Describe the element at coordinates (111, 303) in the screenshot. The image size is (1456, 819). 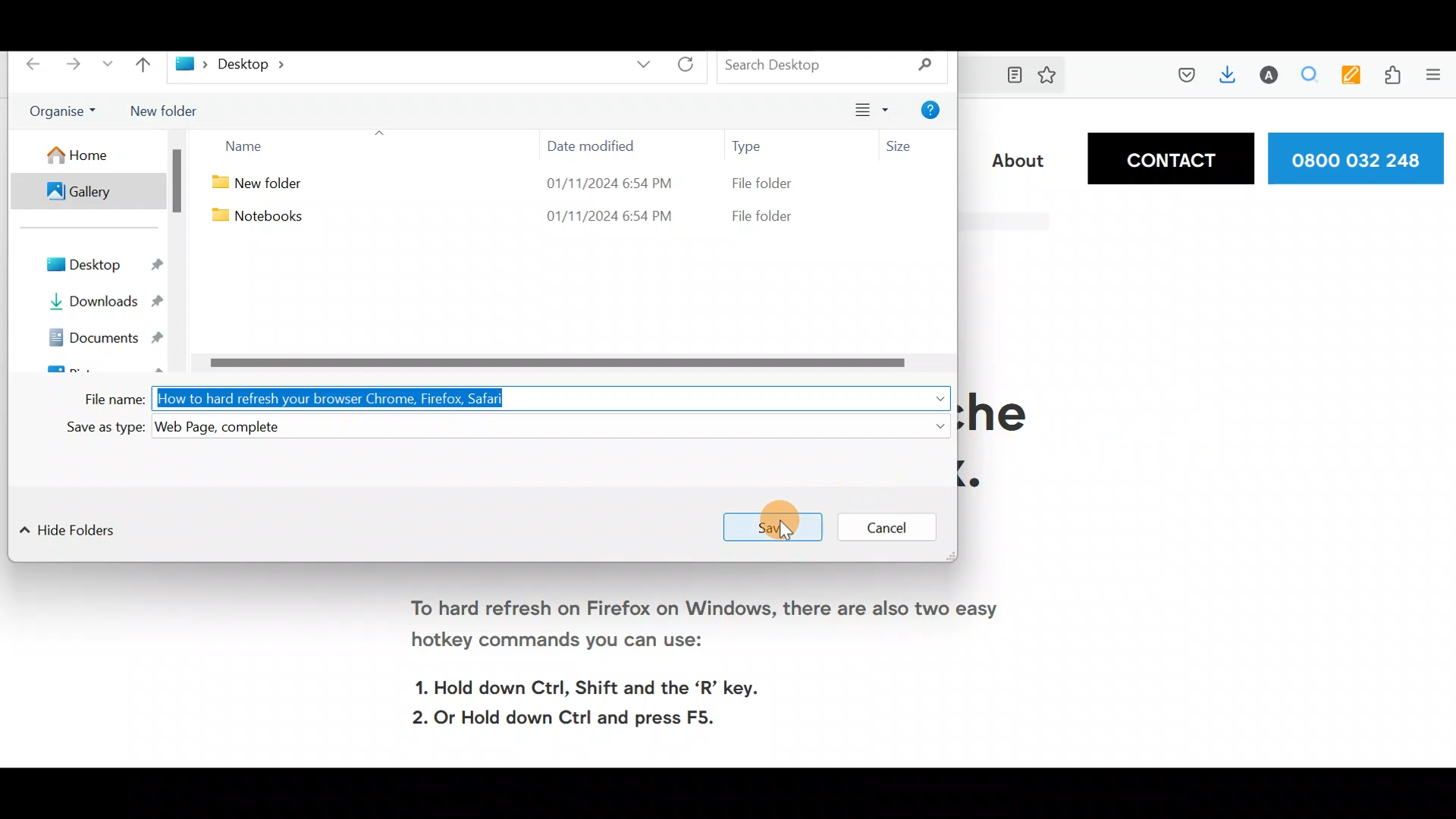
I see `Downloads` at that location.